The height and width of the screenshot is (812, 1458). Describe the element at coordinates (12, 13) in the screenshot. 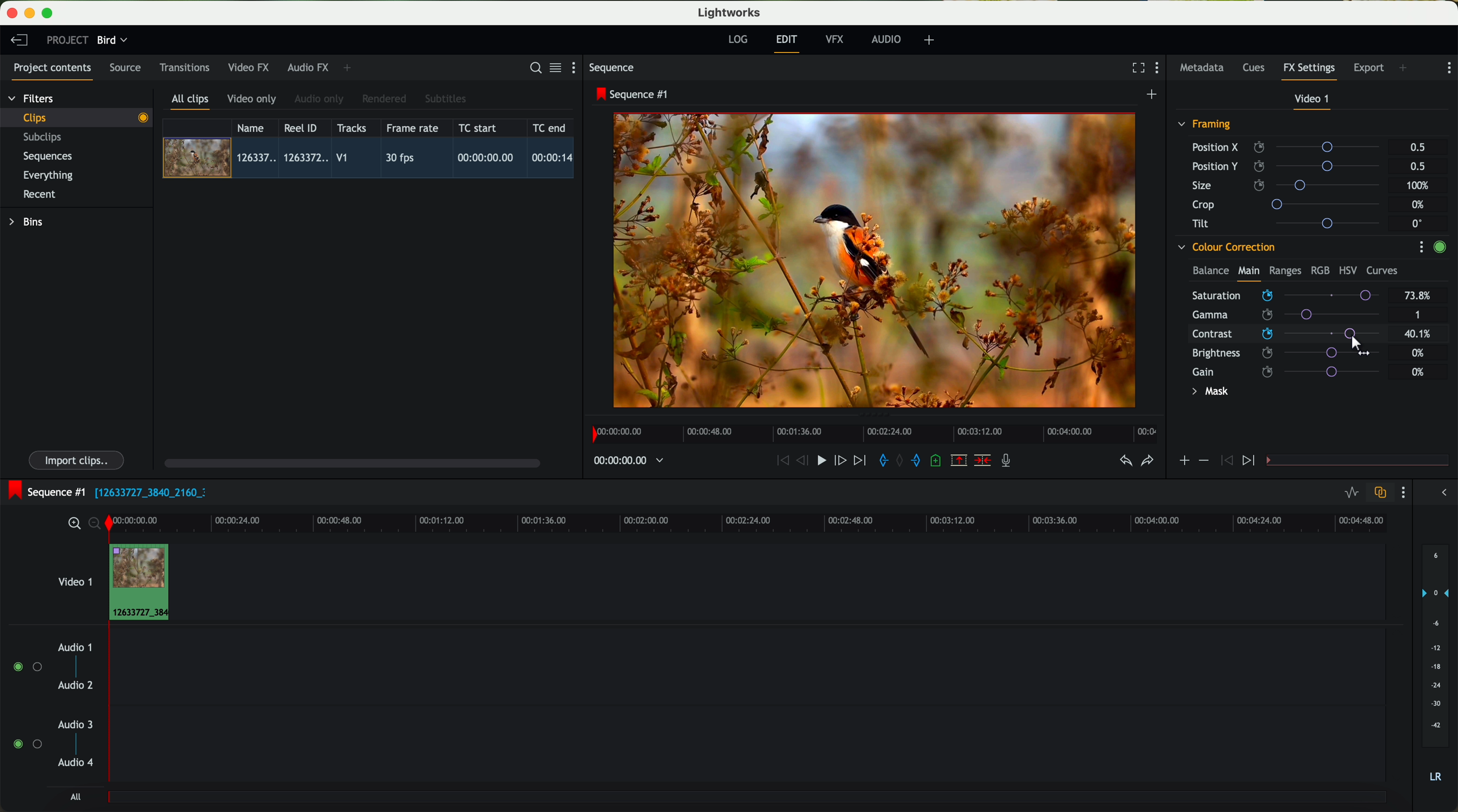

I see `close program` at that location.